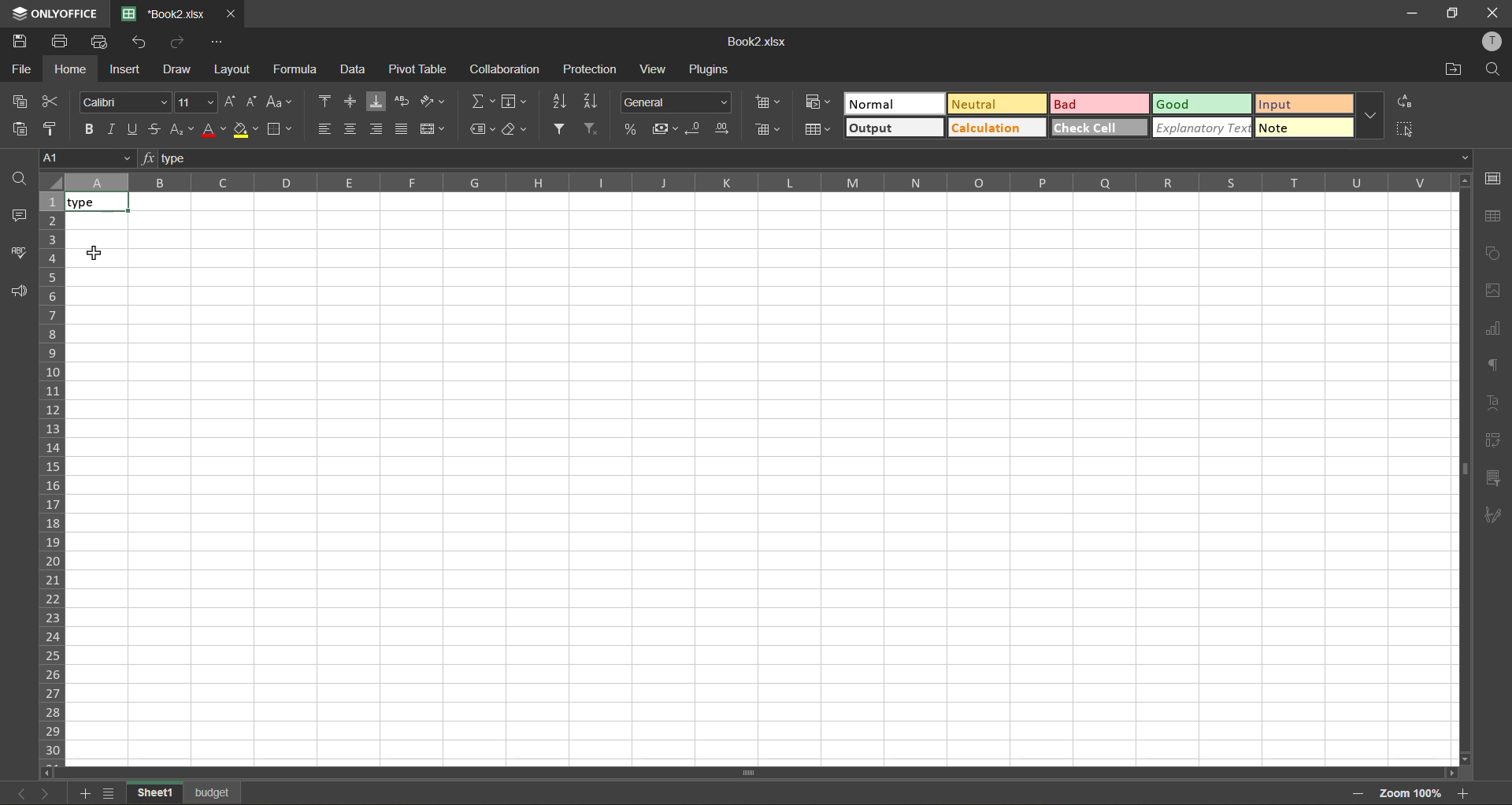  Describe the element at coordinates (806, 158) in the screenshot. I see `formula bar` at that location.